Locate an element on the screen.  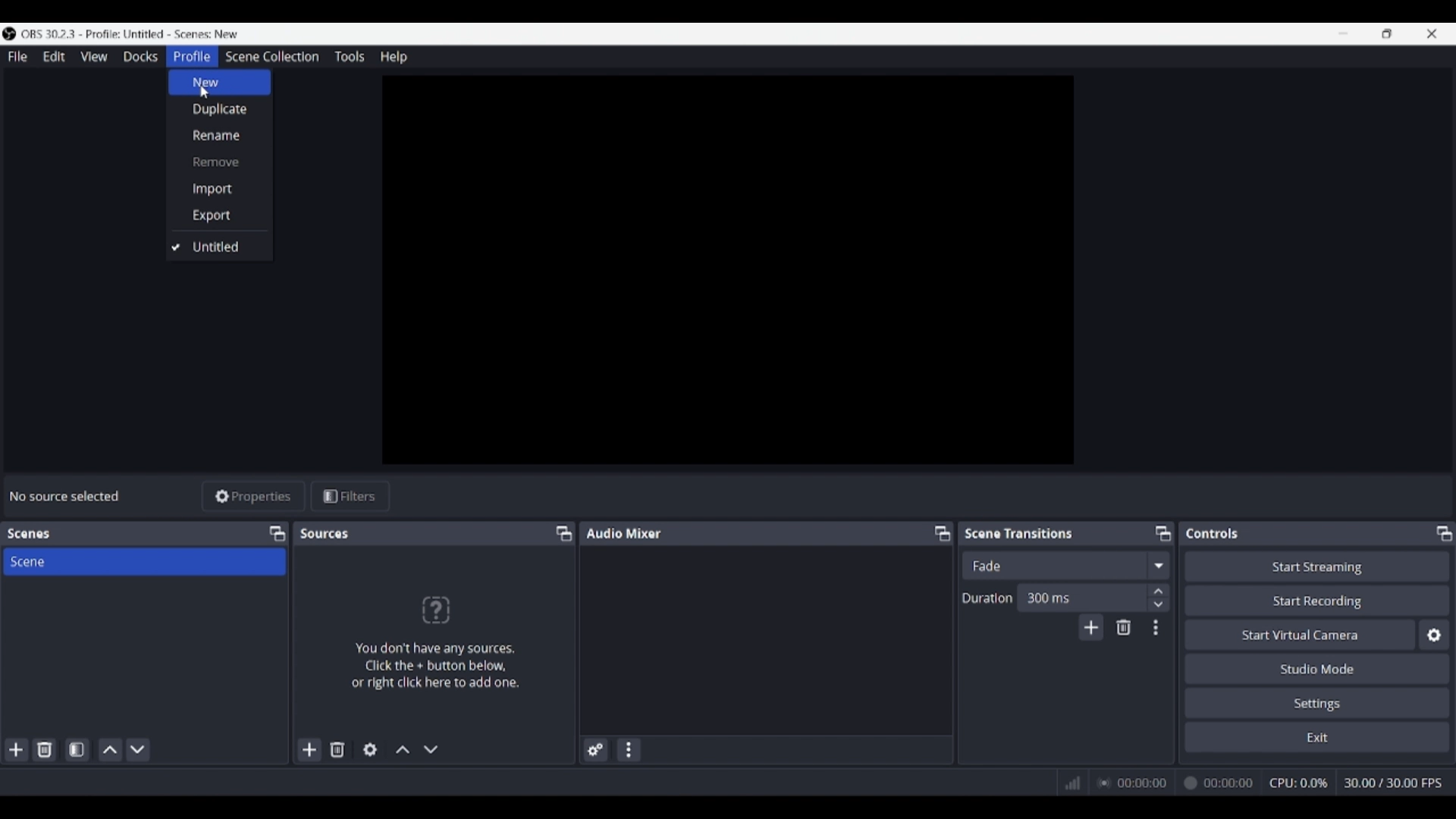
Import is located at coordinates (219, 189).